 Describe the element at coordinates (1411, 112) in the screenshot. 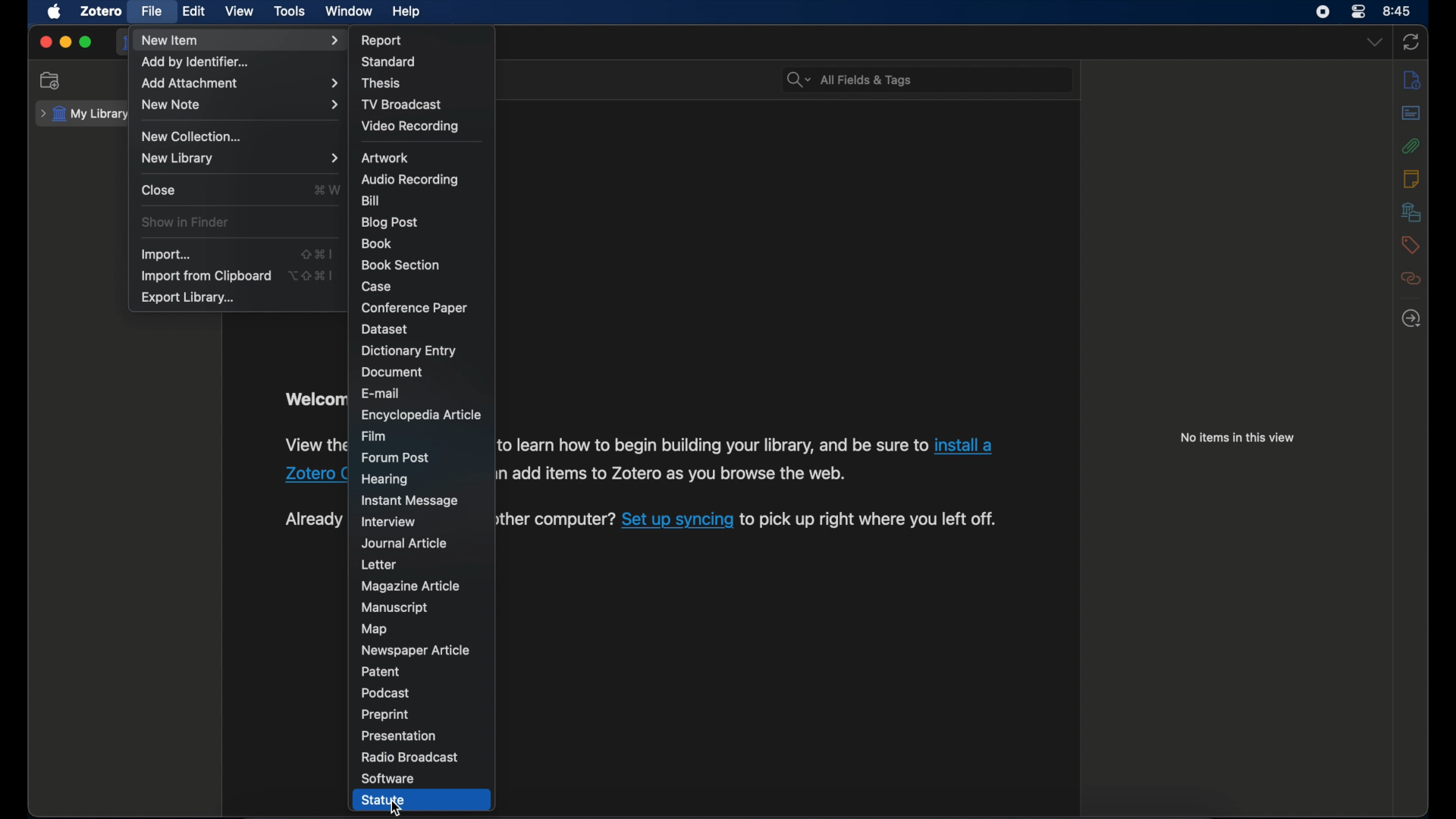

I see `abstract` at that location.